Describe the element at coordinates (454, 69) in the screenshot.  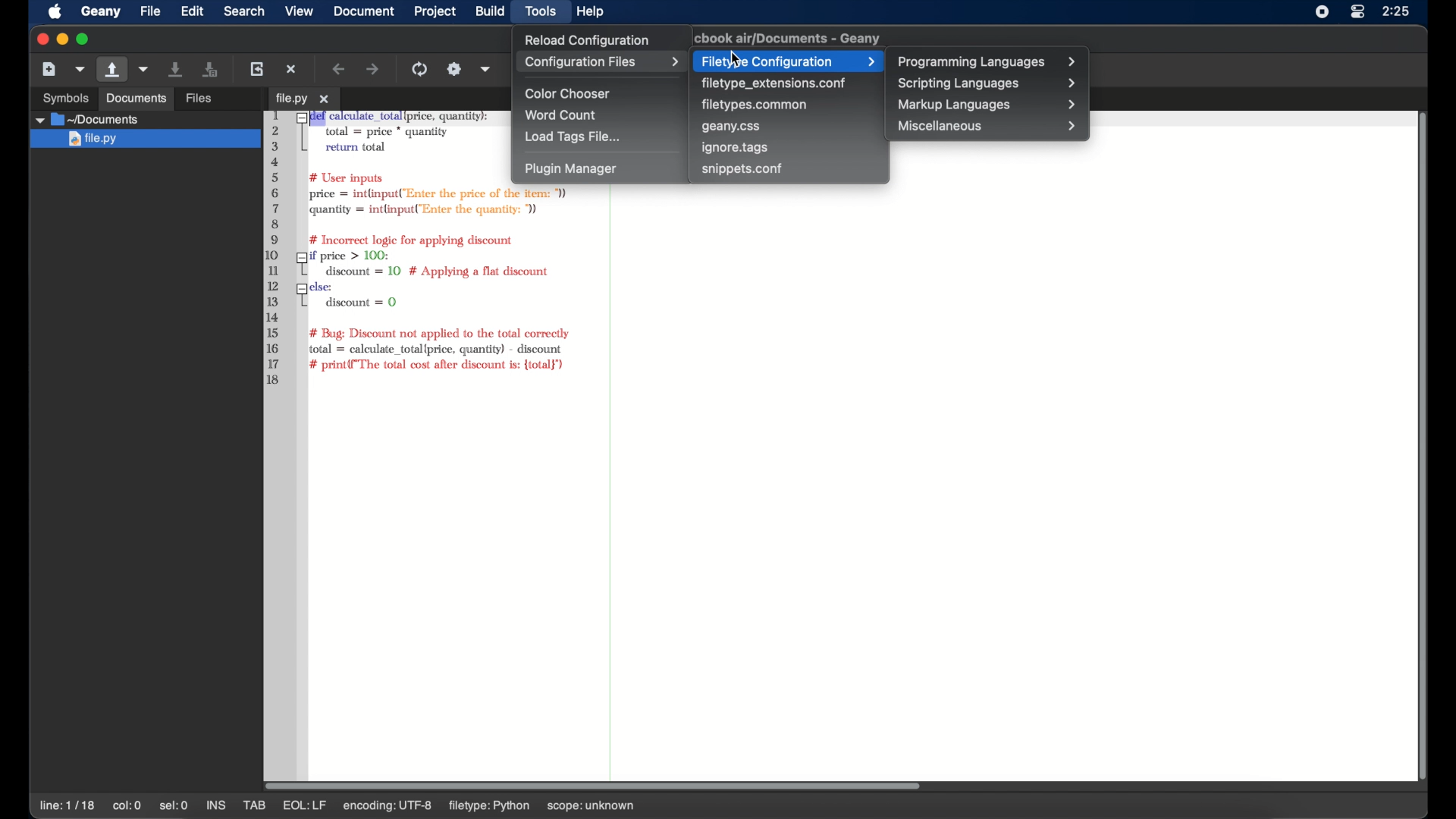
I see `build the current file` at that location.